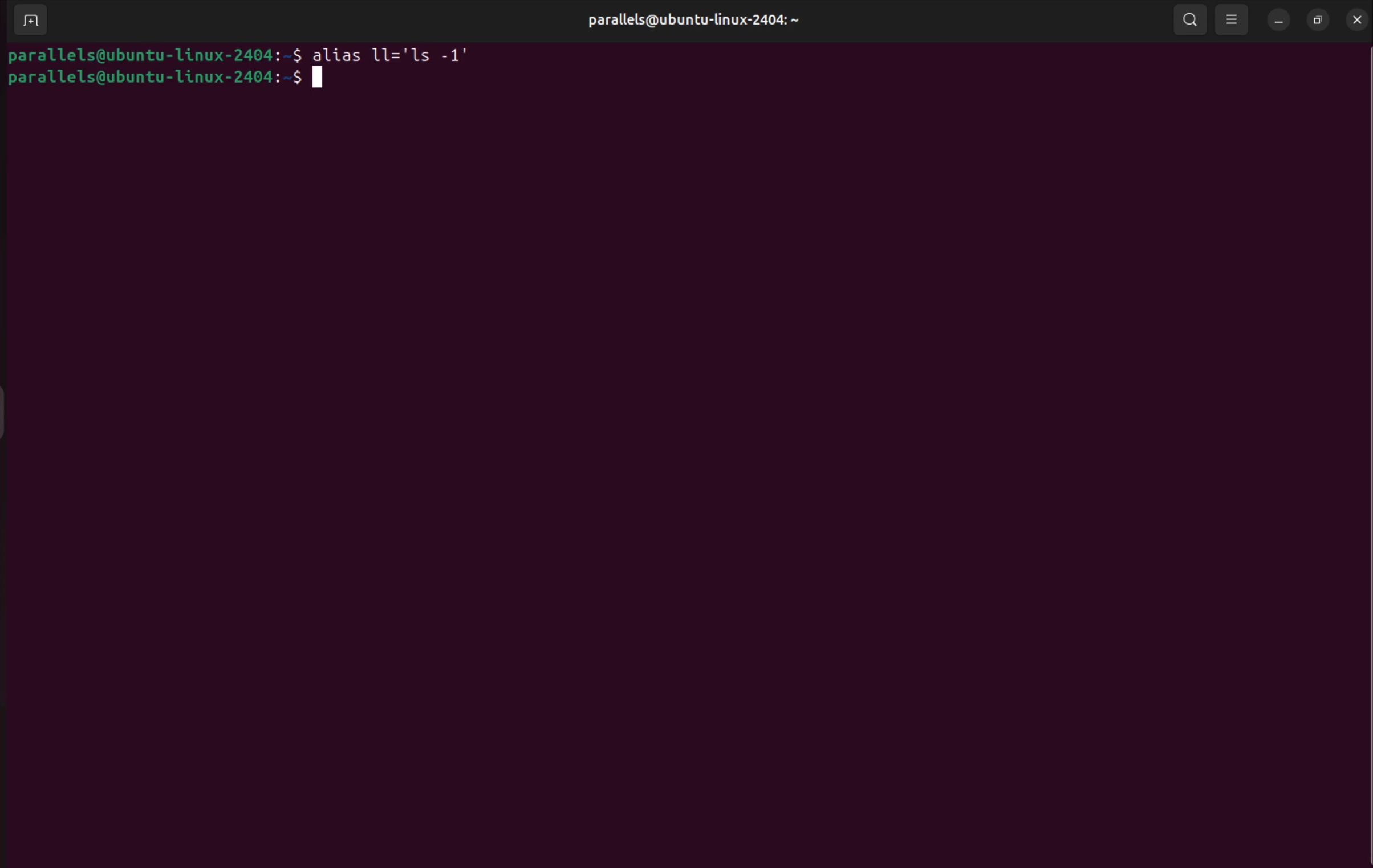 Image resolution: width=1373 pixels, height=868 pixels. What do you see at coordinates (1233, 19) in the screenshot?
I see `view options` at bounding box center [1233, 19].